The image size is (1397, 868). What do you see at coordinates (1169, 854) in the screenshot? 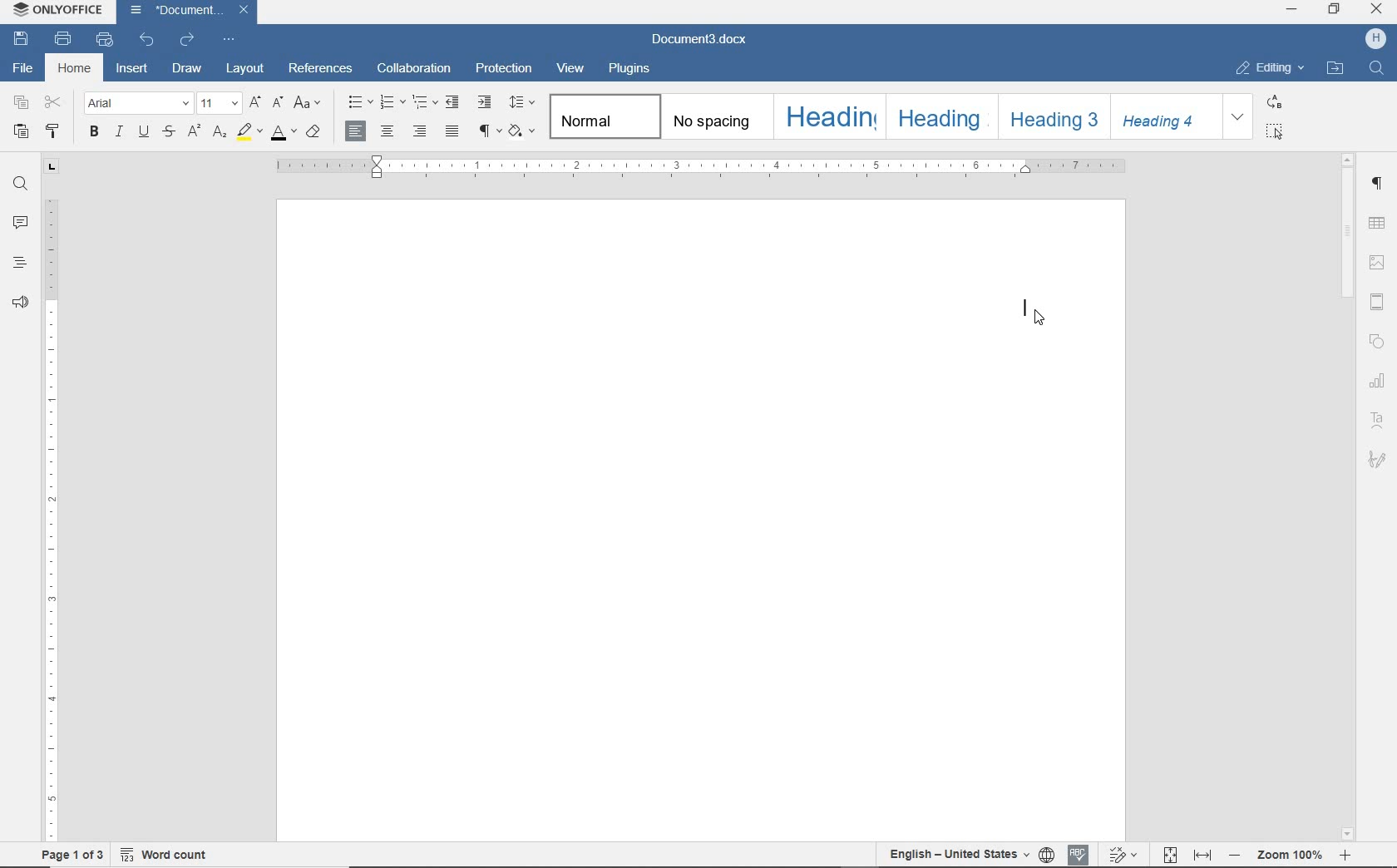
I see `FIT TO PAGE` at bounding box center [1169, 854].